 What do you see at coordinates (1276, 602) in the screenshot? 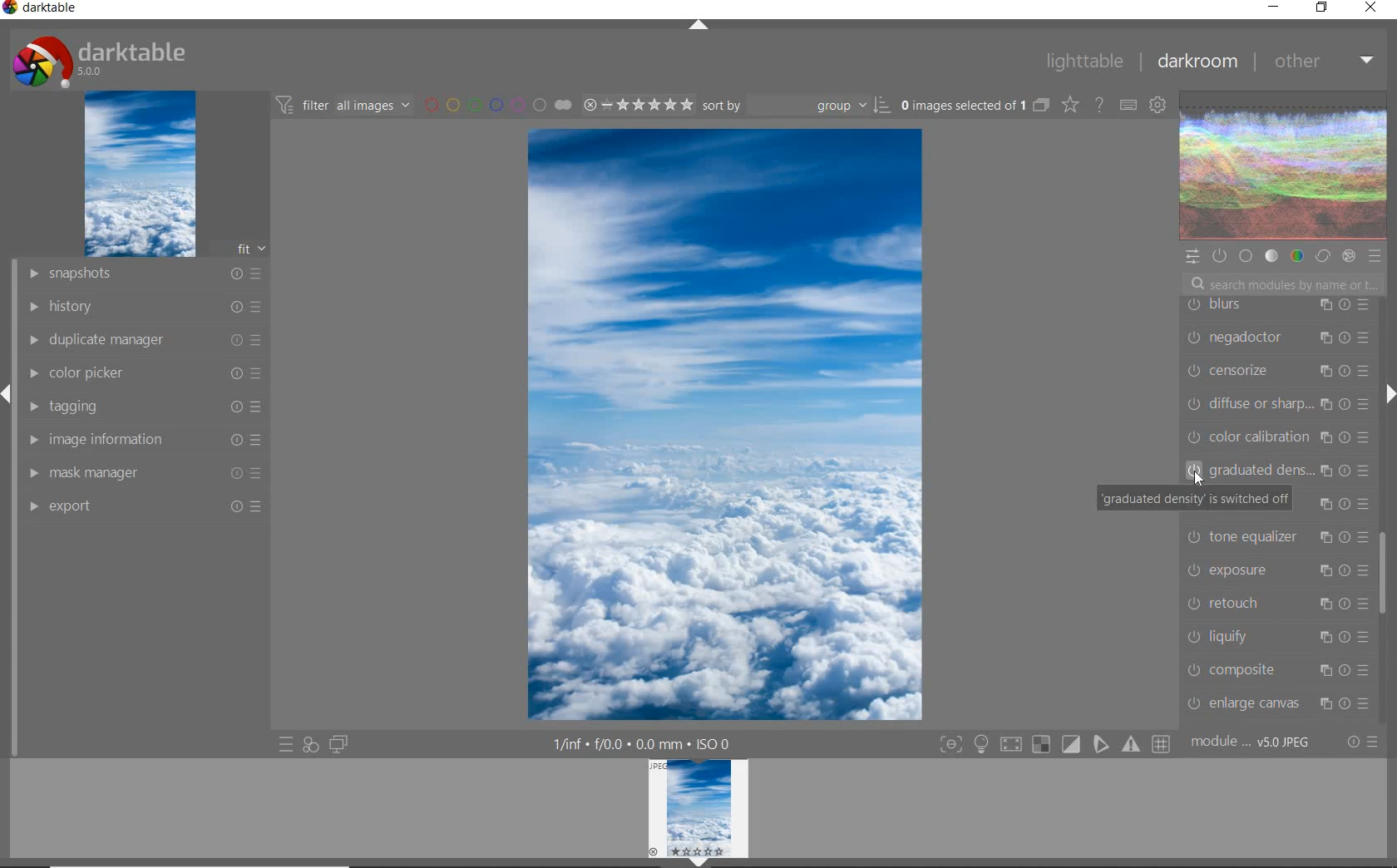
I see `retouch` at bounding box center [1276, 602].